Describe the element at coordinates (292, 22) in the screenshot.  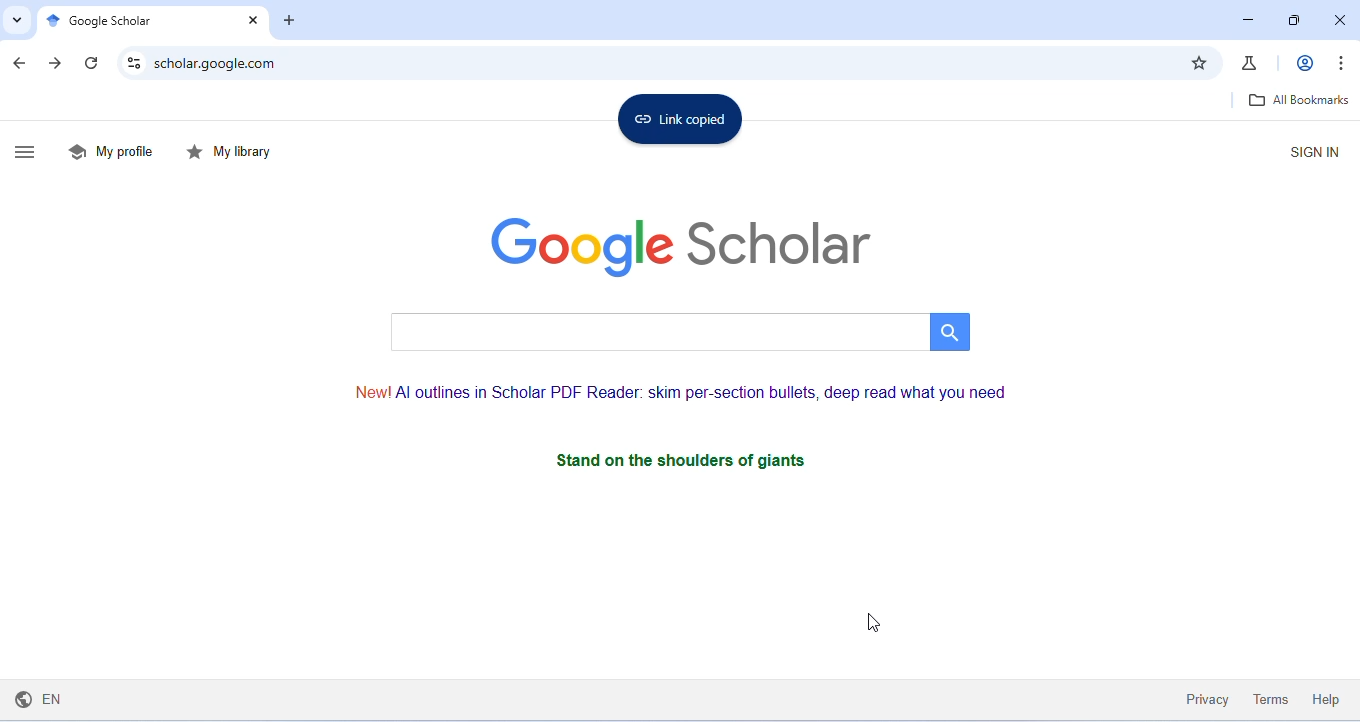
I see `add tab` at that location.